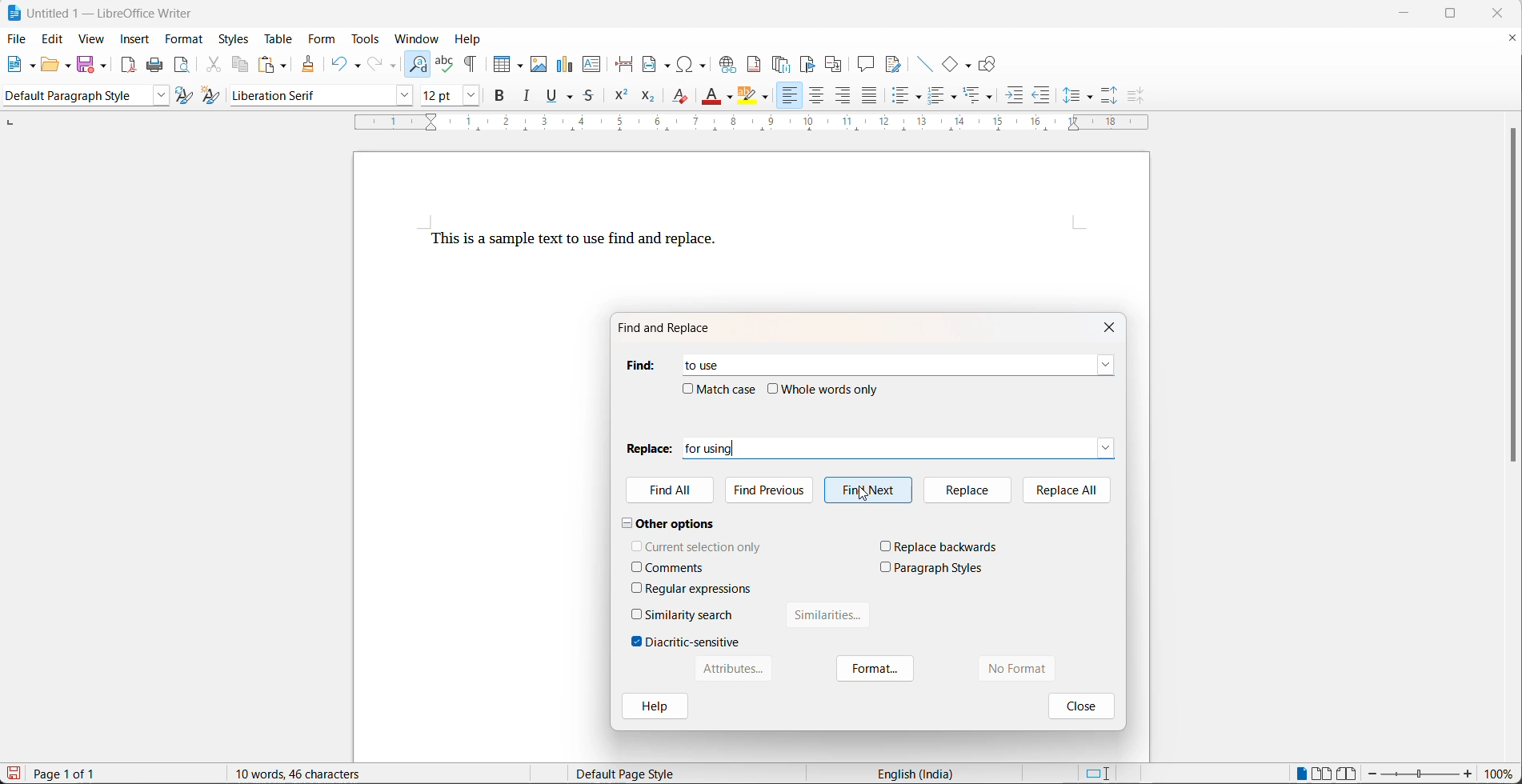 The height and width of the screenshot is (784, 1522). What do you see at coordinates (865, 494) in the screenshot?
I see `cursor` at bounding box center [865, 494].